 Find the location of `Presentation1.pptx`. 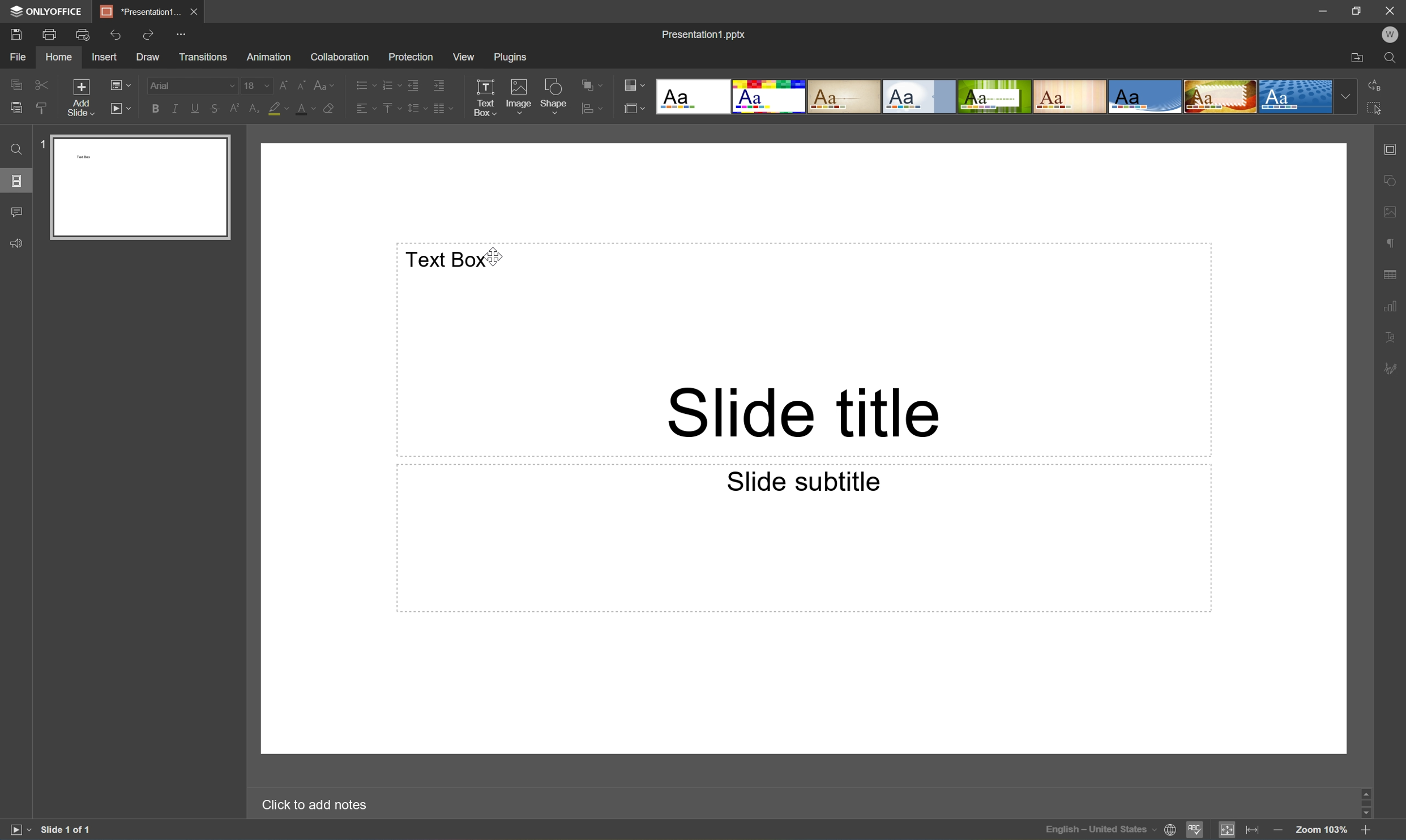

Presentation1.pptx is located at coordinates (706, 36).